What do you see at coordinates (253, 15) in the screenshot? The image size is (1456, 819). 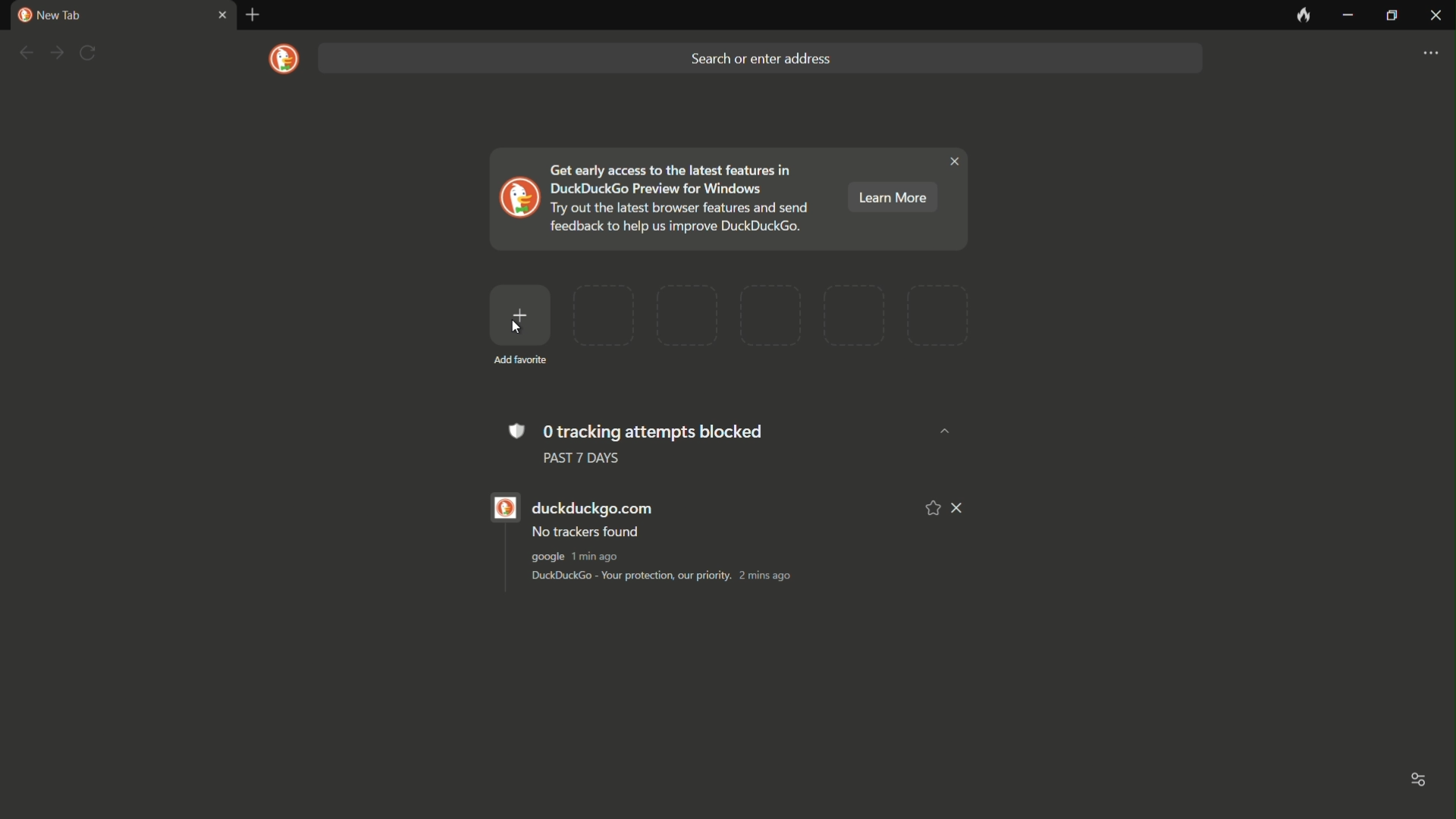 I see `new tab` at bounding box center [253, 15].